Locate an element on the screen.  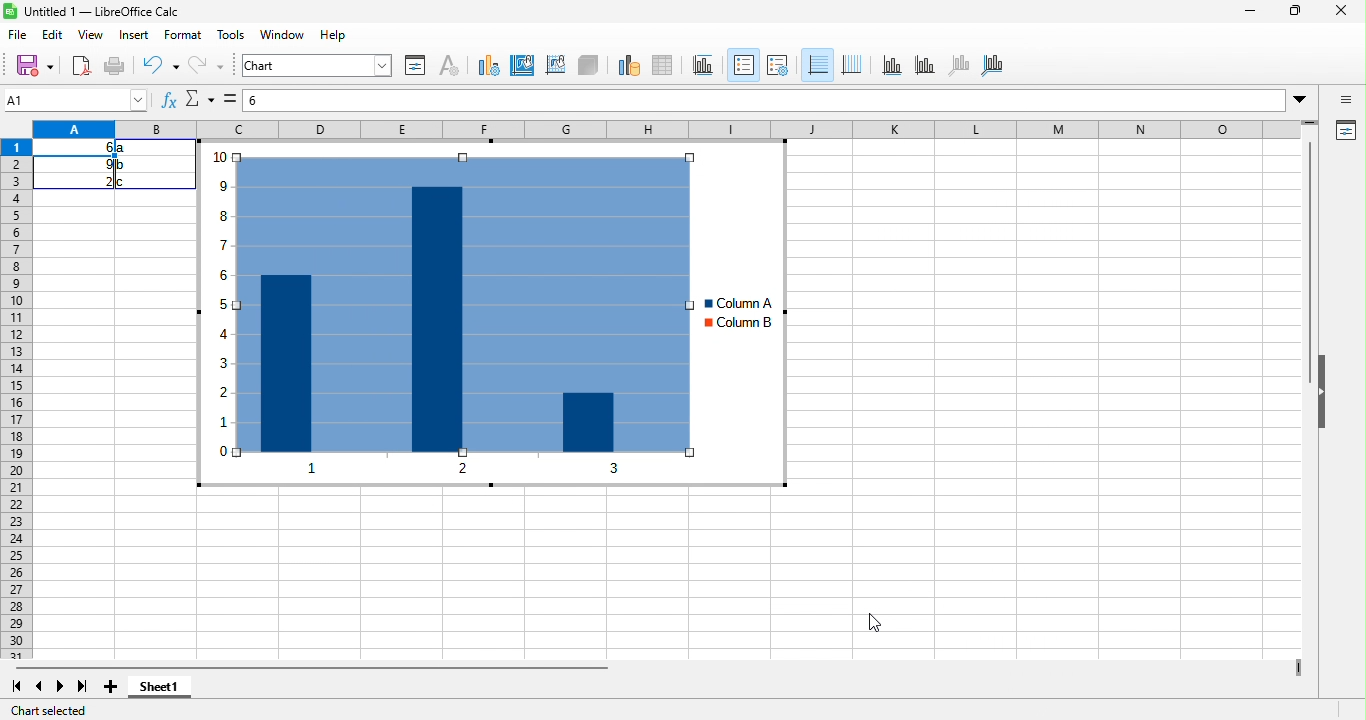
chart wall - color change is located at coordinates (469, 304).